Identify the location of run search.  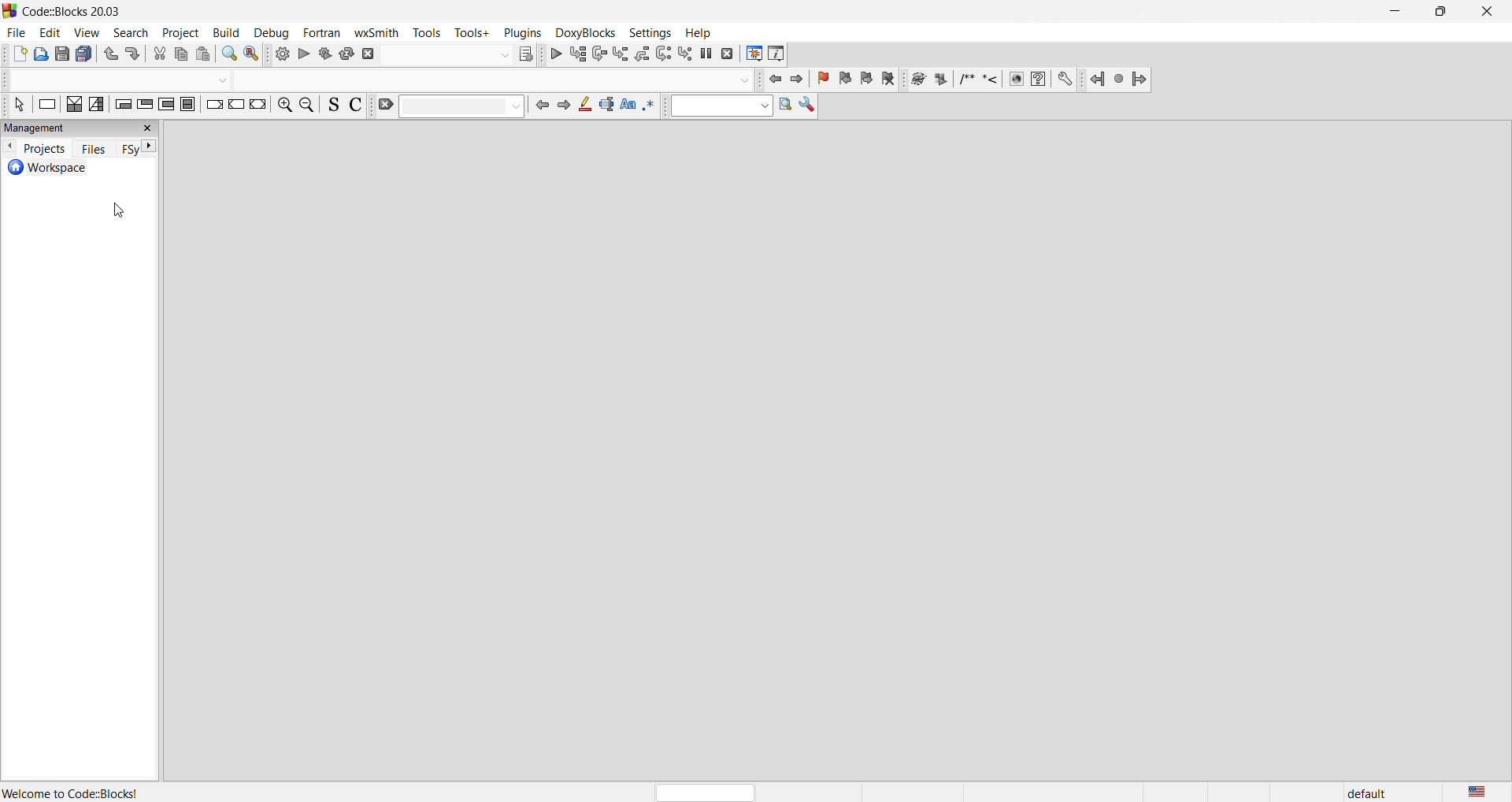
(787, 107).